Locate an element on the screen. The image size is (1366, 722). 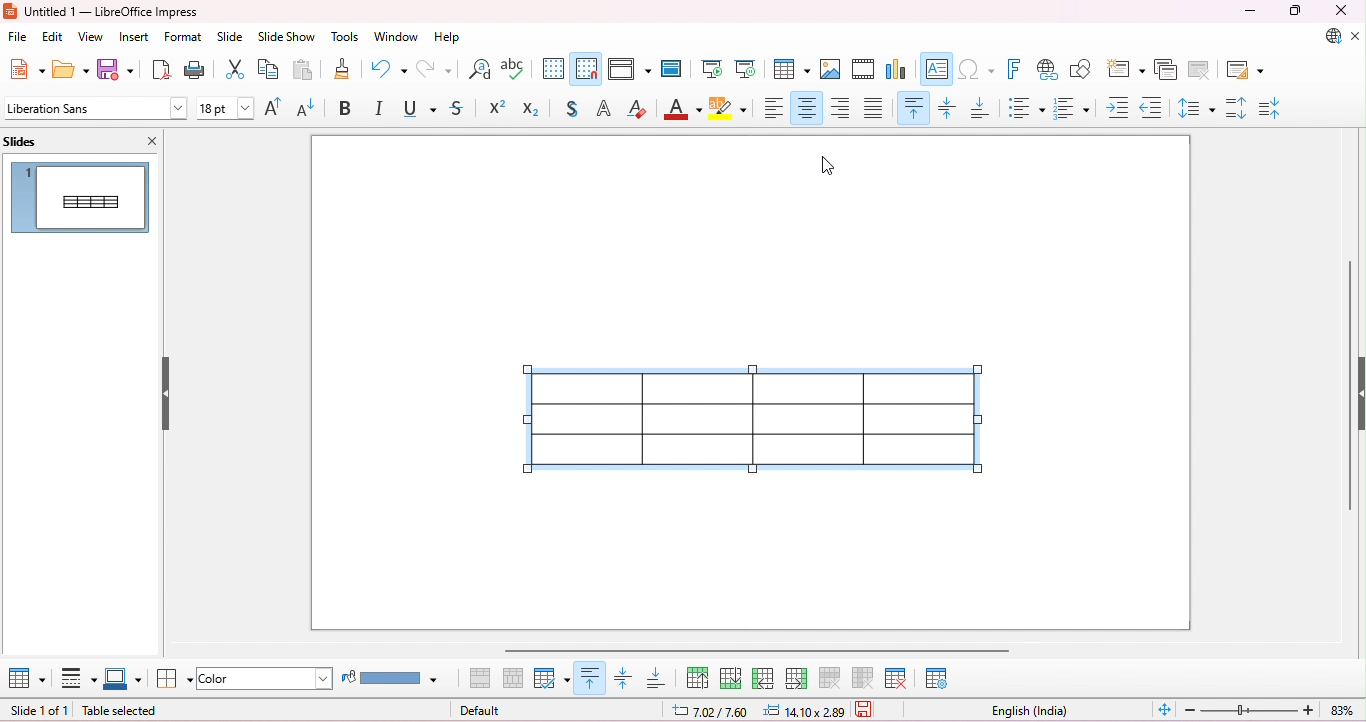
snap to grid is located at coordinates (587, 68).